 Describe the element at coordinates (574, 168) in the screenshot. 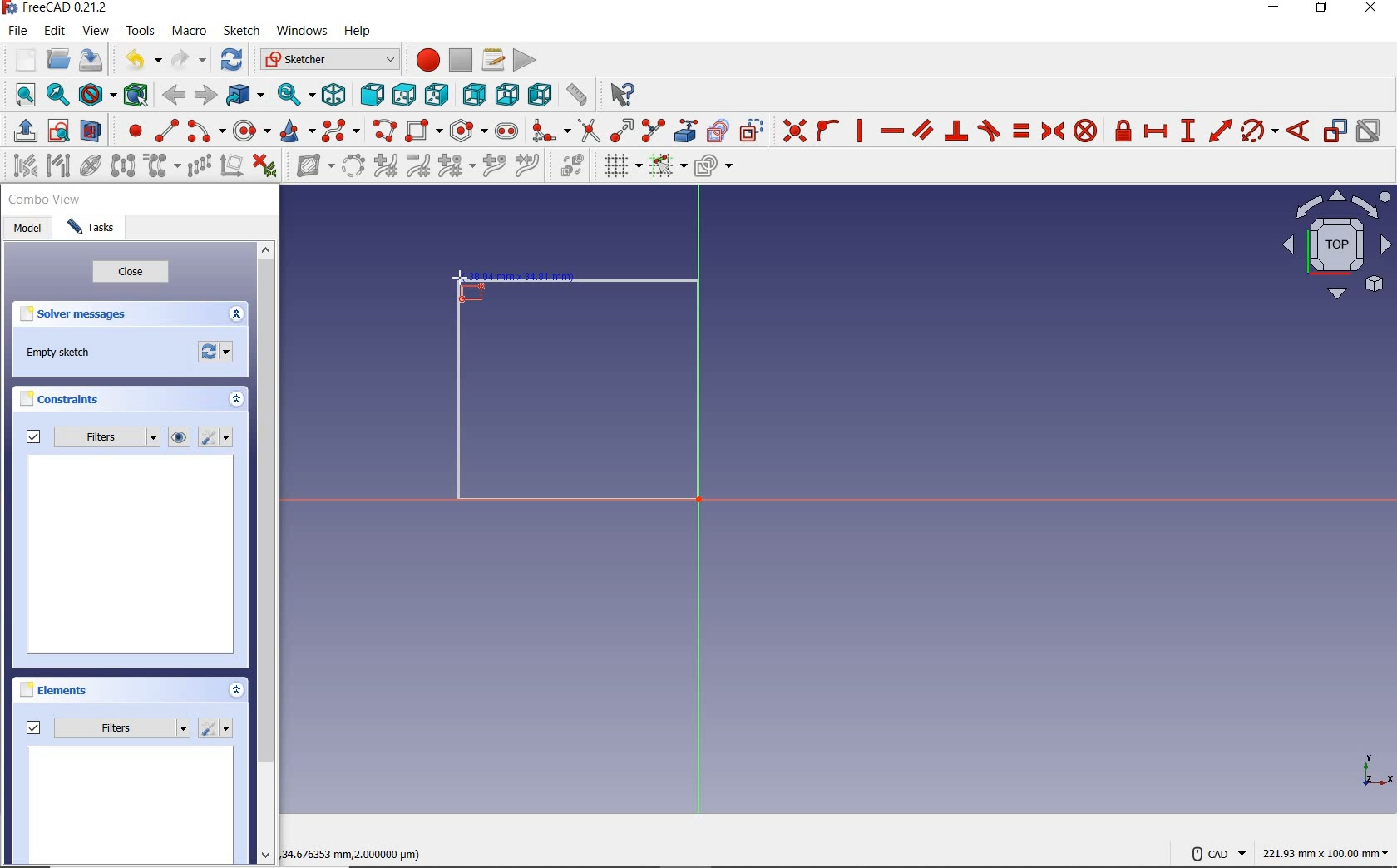

I see `switch virtual space` at that location.